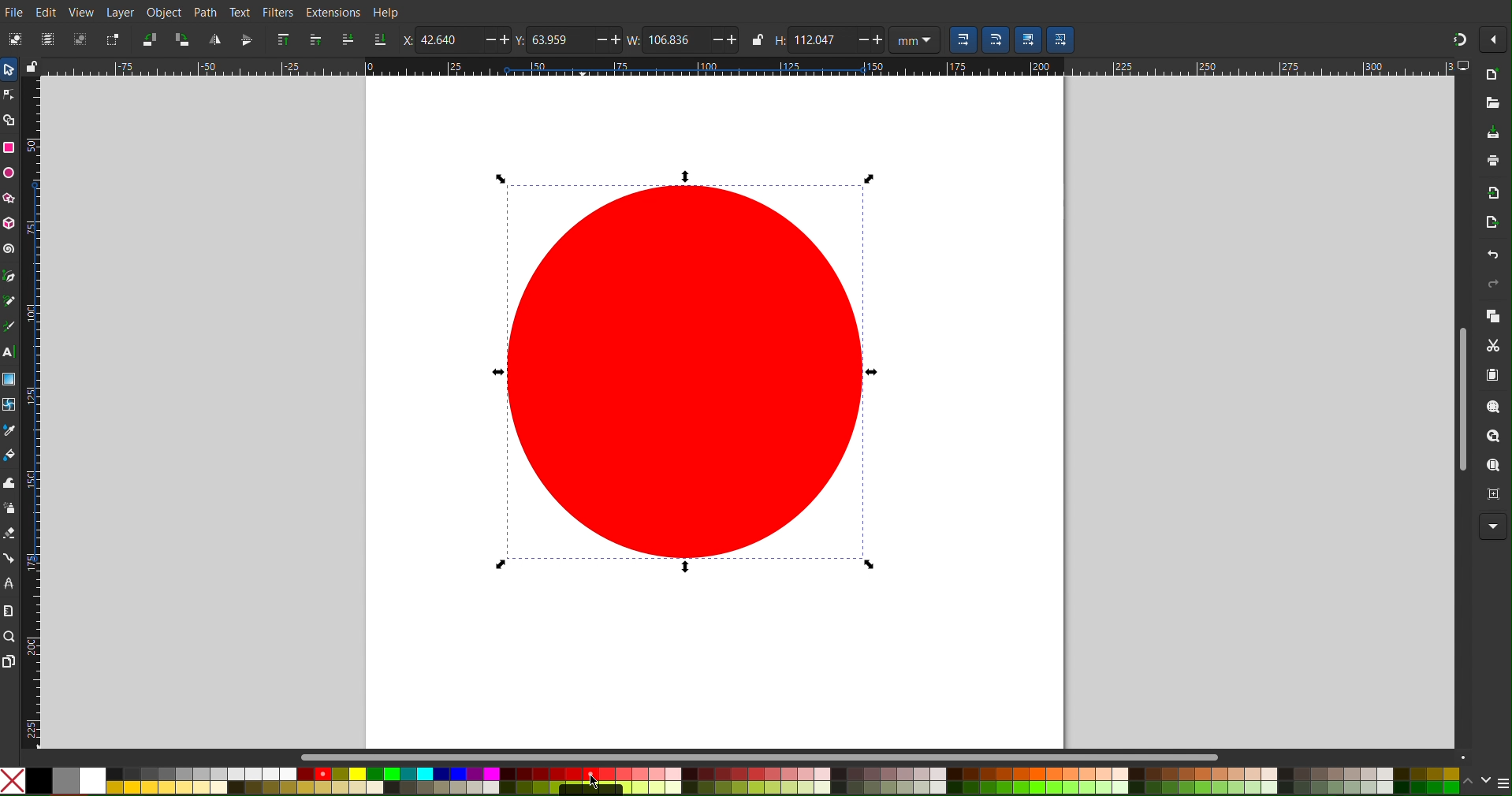 This screenshot has height=796, width=1512. I want to click on increase/decrease, so click(497, 39).